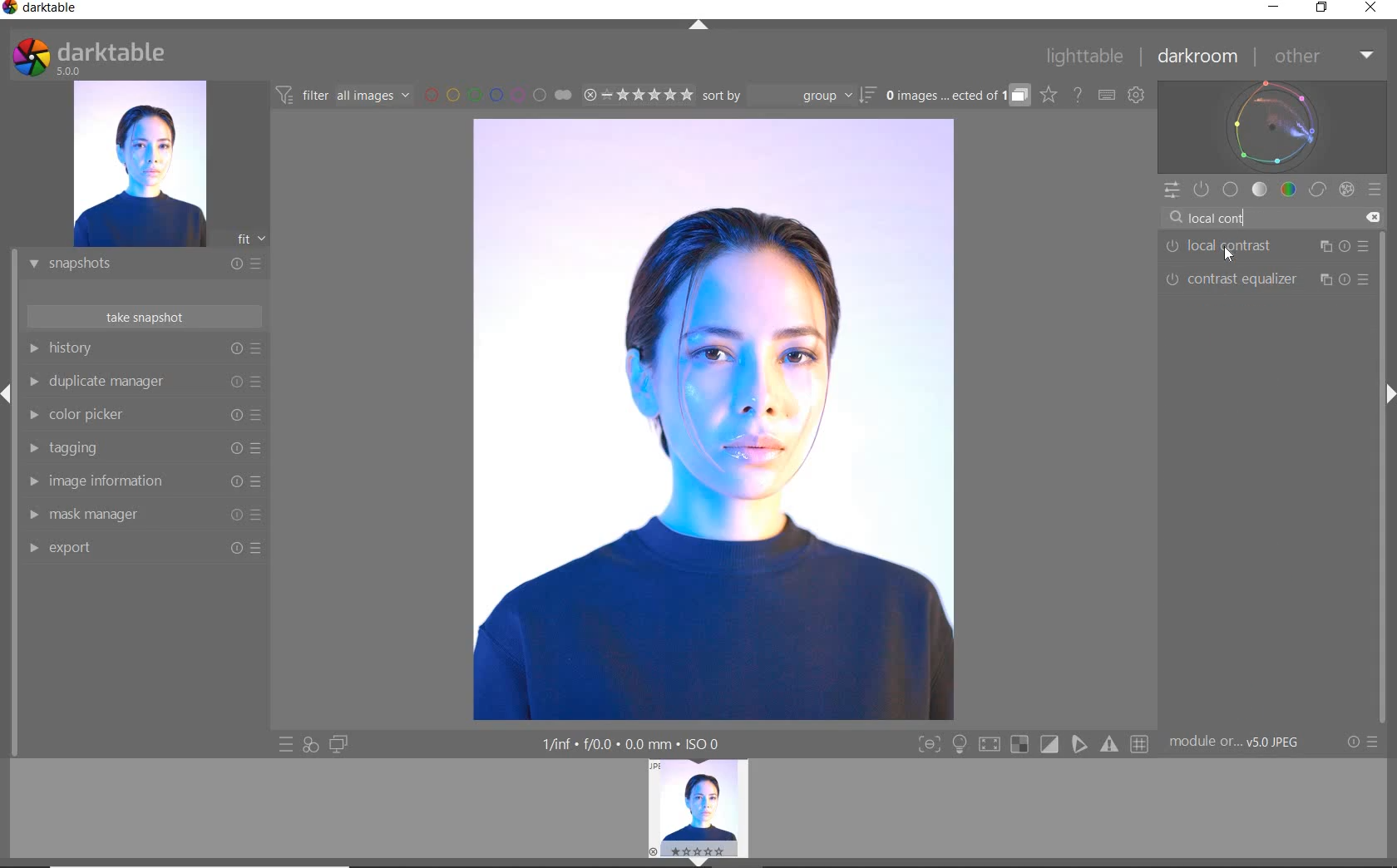 The image size is (1397, 868). Describe the element at coordinates (1141, 745) in the screenshot. I see `Button` at that location.